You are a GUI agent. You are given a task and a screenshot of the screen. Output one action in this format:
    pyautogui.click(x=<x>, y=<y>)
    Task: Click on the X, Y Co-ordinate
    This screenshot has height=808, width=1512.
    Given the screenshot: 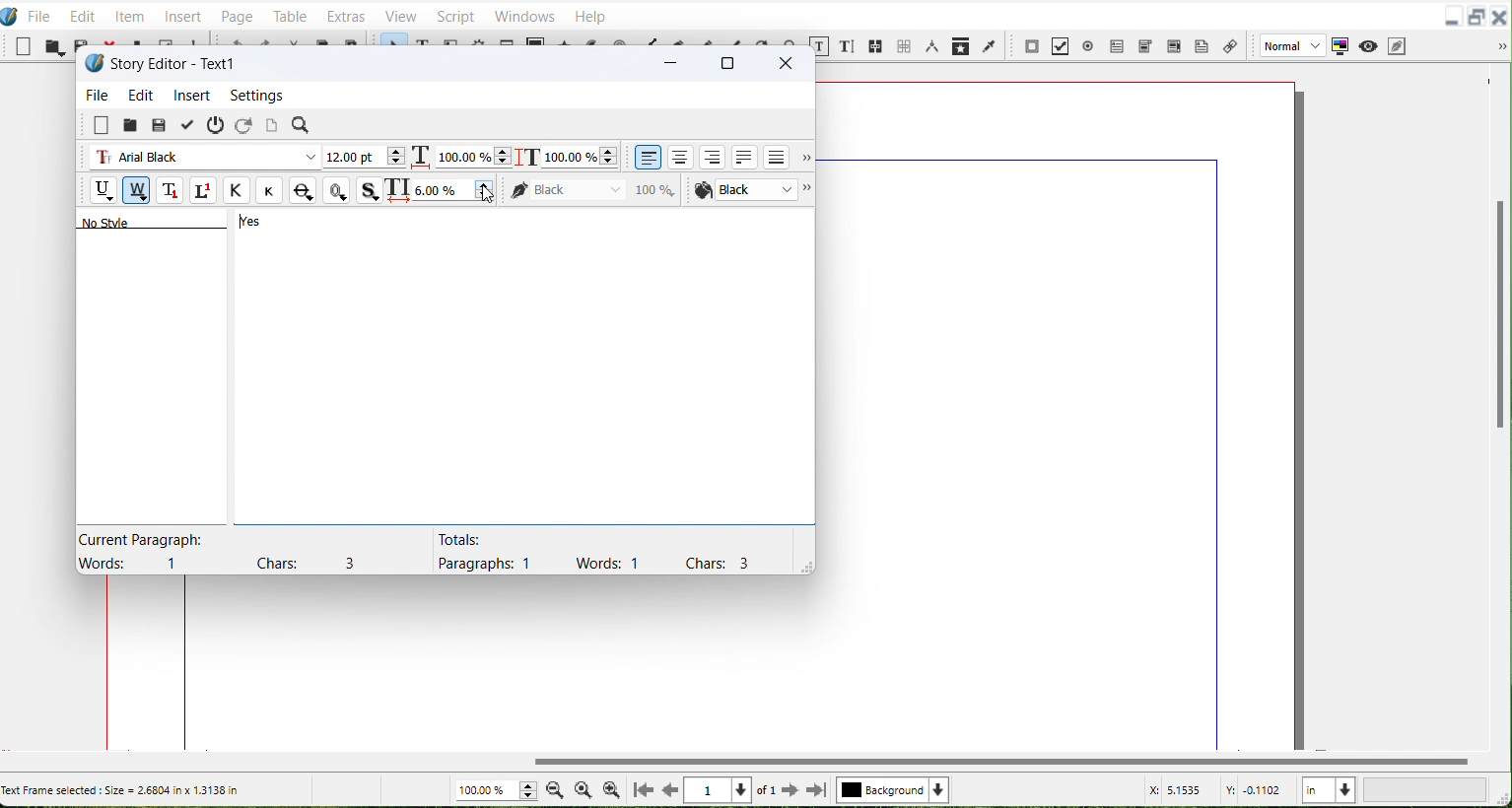 What is the action you would take?
    pyautogui.click(x=1218, y=790)
    